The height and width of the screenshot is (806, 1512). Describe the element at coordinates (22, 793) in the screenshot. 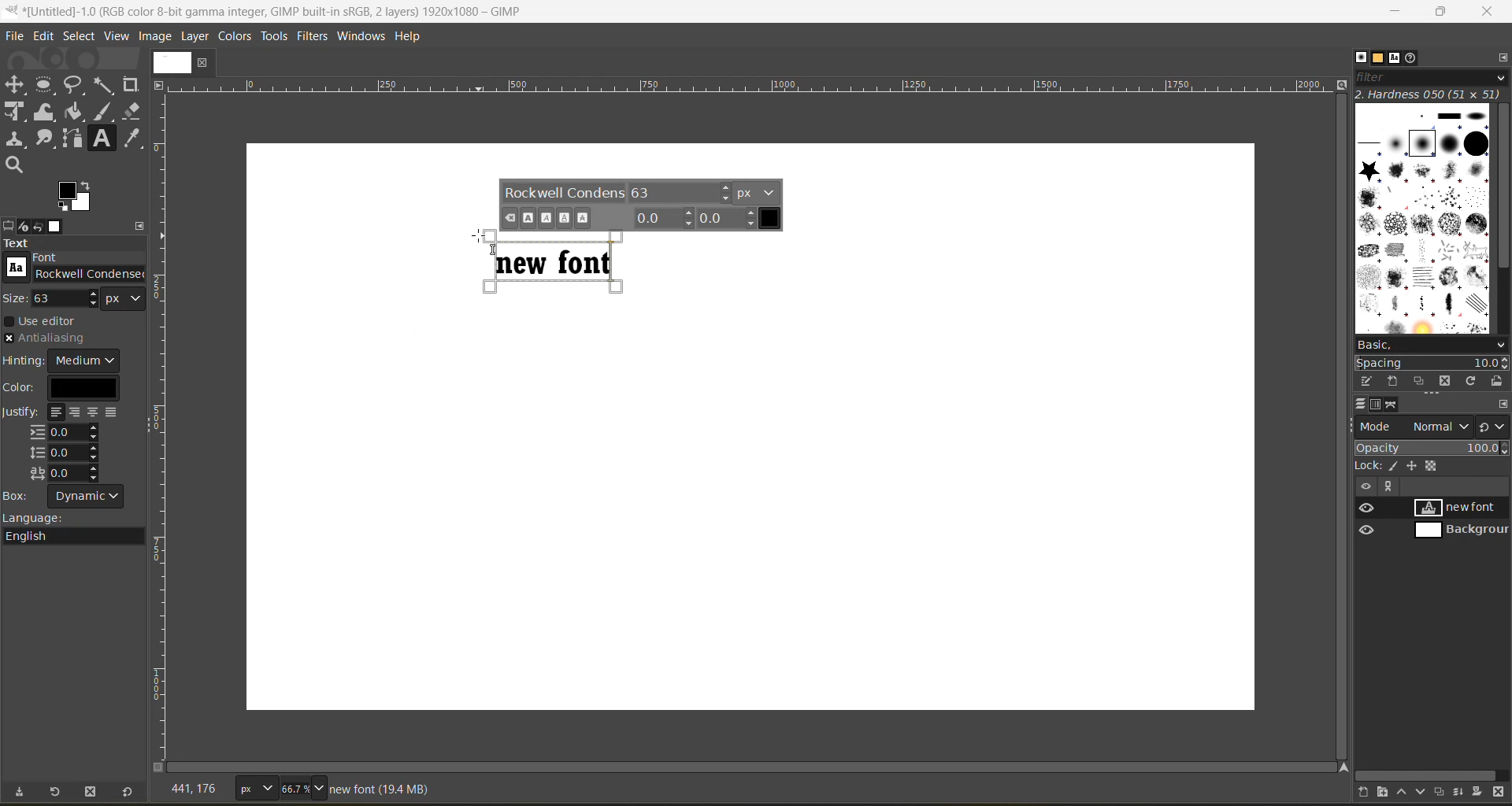

I see `save tool preset` at that location.